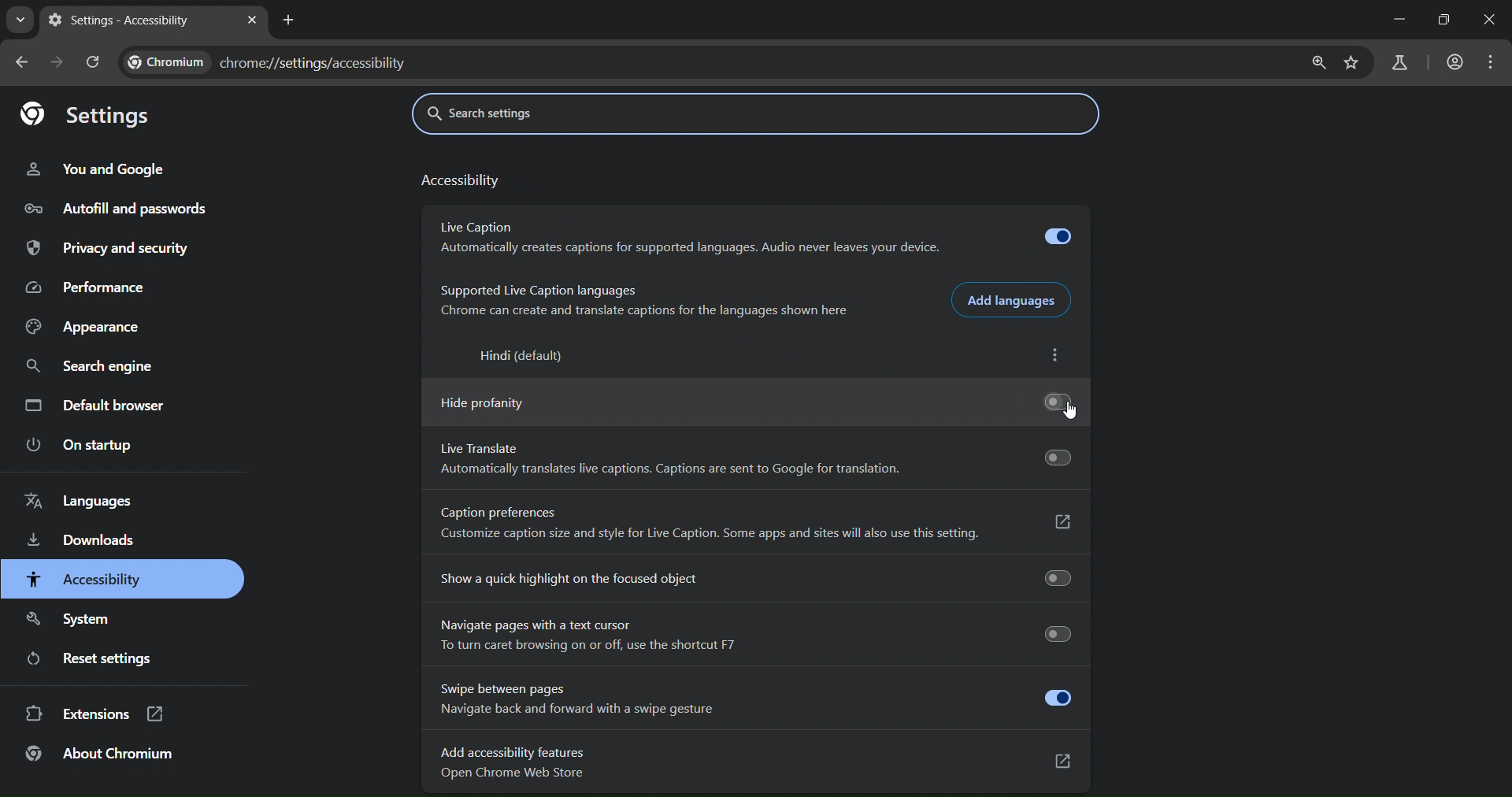  Describe the element at coordinates (90, 366) in the screenshot. I see `search engine` at that location.